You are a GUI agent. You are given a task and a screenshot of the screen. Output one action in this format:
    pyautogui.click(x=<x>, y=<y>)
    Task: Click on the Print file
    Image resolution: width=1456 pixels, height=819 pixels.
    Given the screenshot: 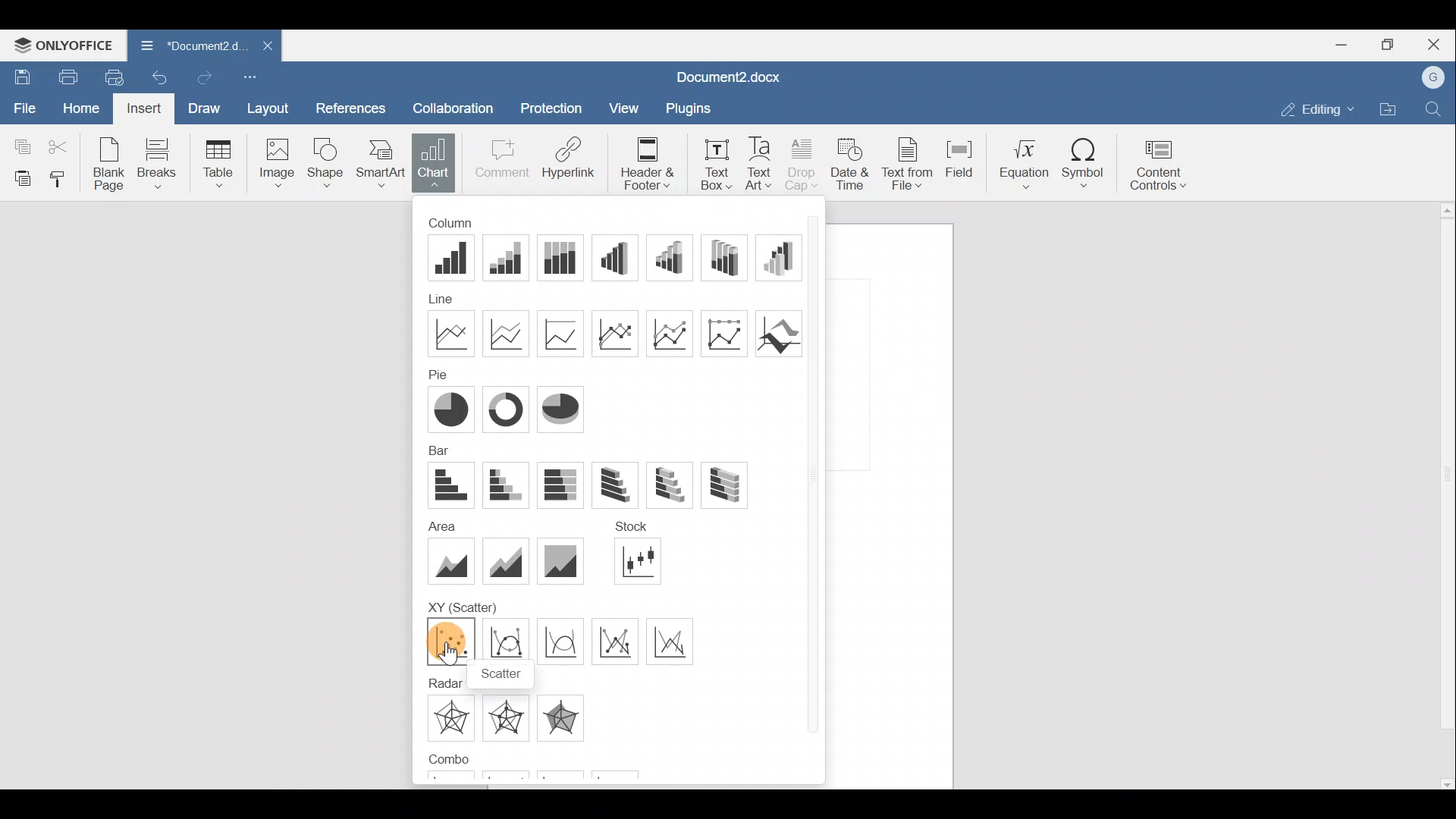 What is the action you would take?
    pyautogui.click(x=64, y=76)
    